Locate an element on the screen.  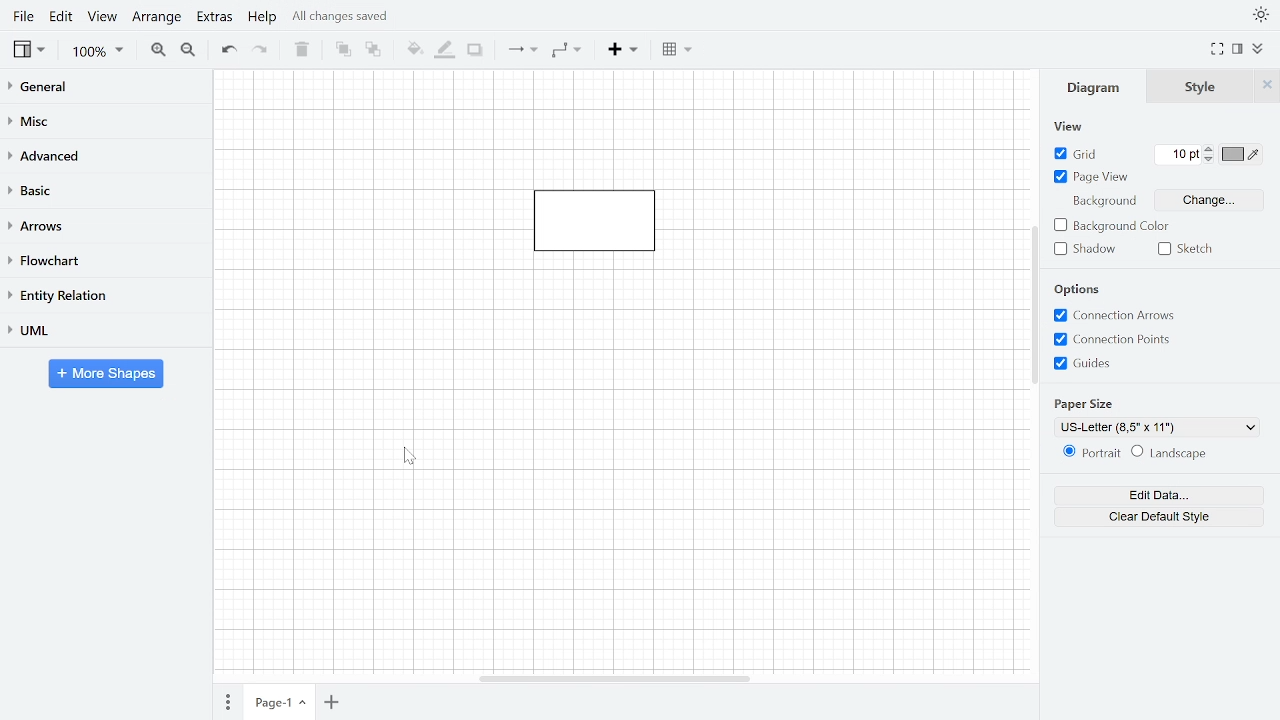
Entity relation is located at coordinates (104, 296).